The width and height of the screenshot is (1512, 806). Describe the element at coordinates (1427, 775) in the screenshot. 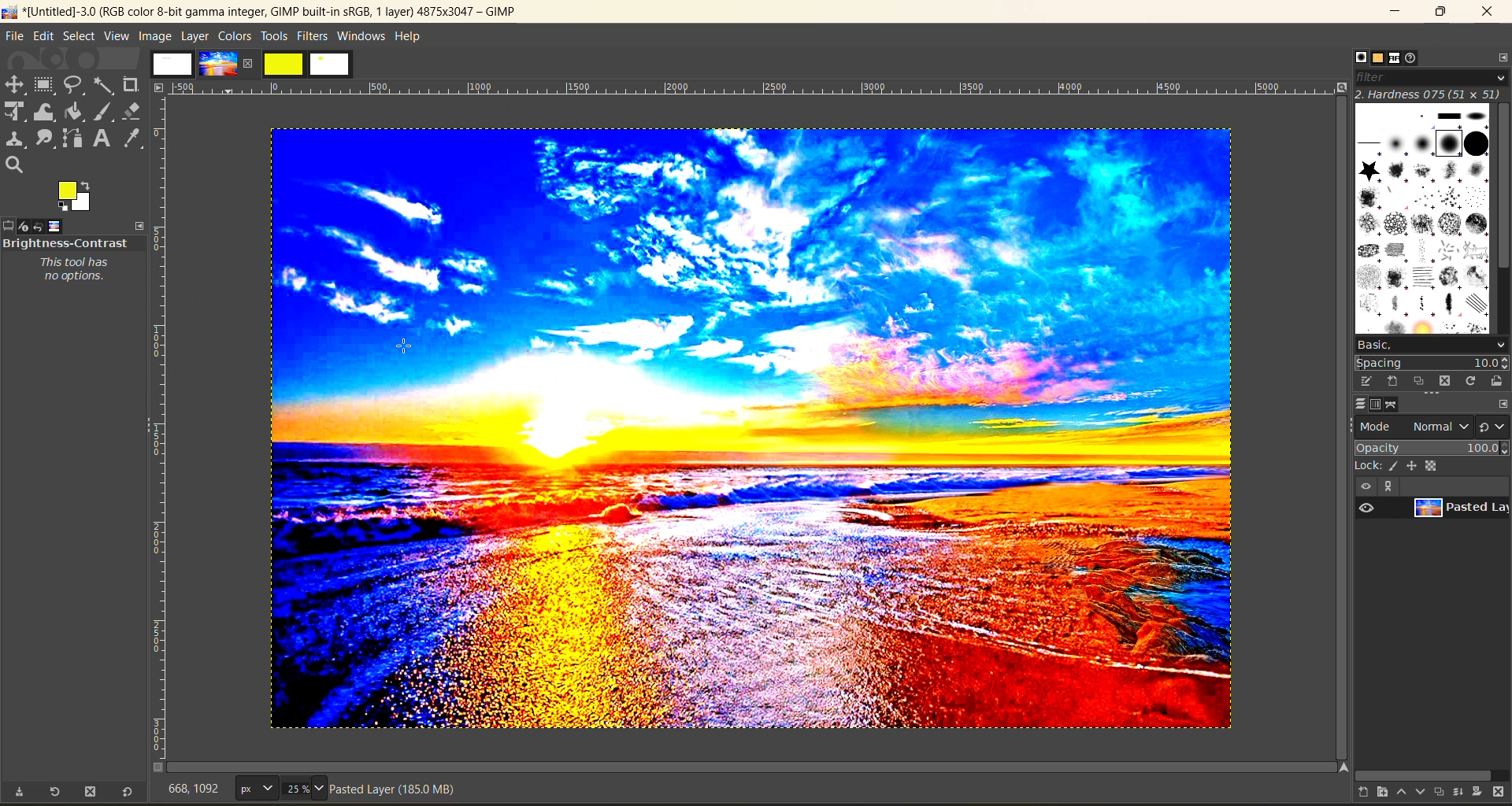

I see `horizontal scroll bar` at that location.